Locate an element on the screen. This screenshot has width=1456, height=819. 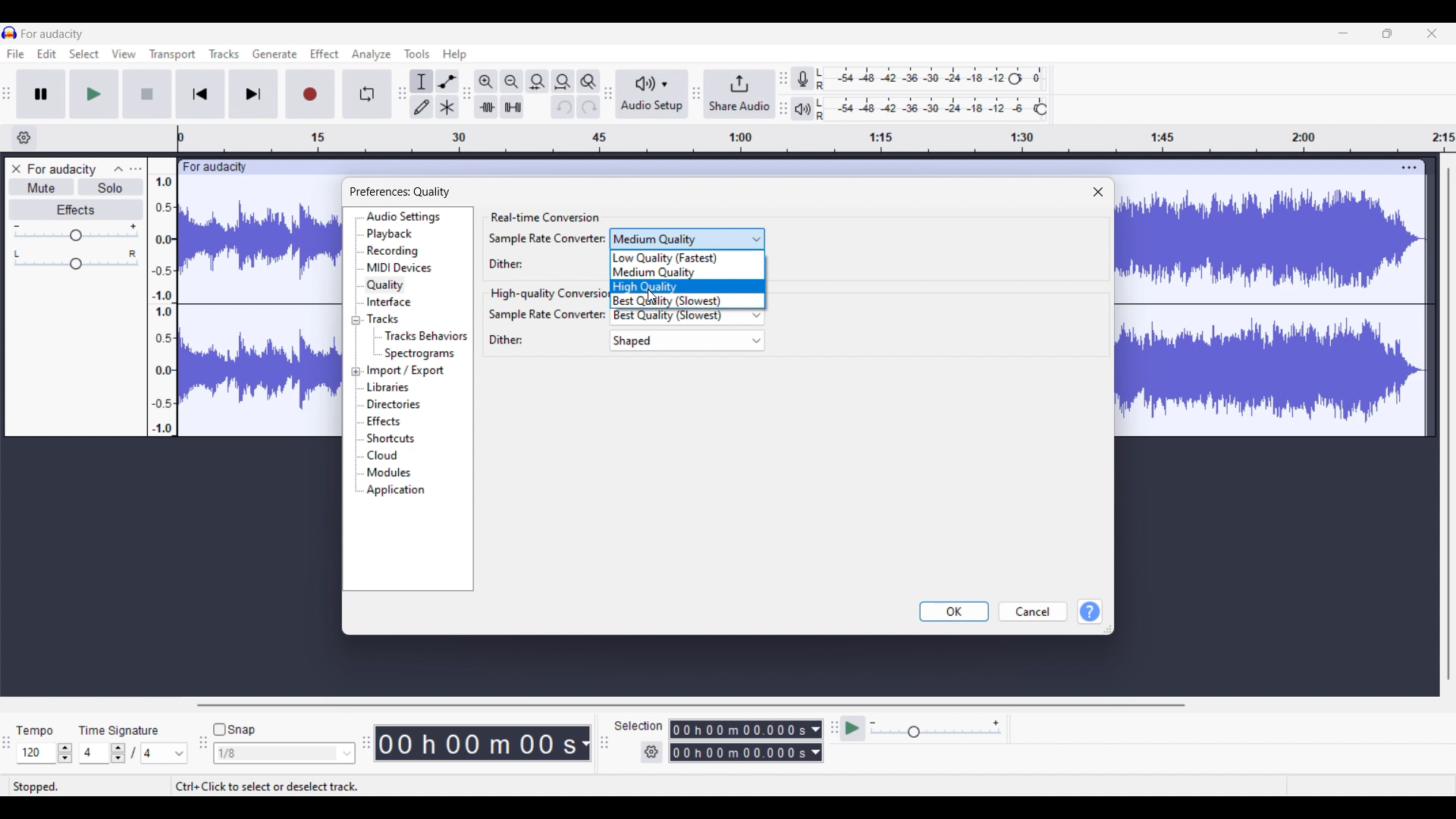
0 is located at coordinates (1040, 74).